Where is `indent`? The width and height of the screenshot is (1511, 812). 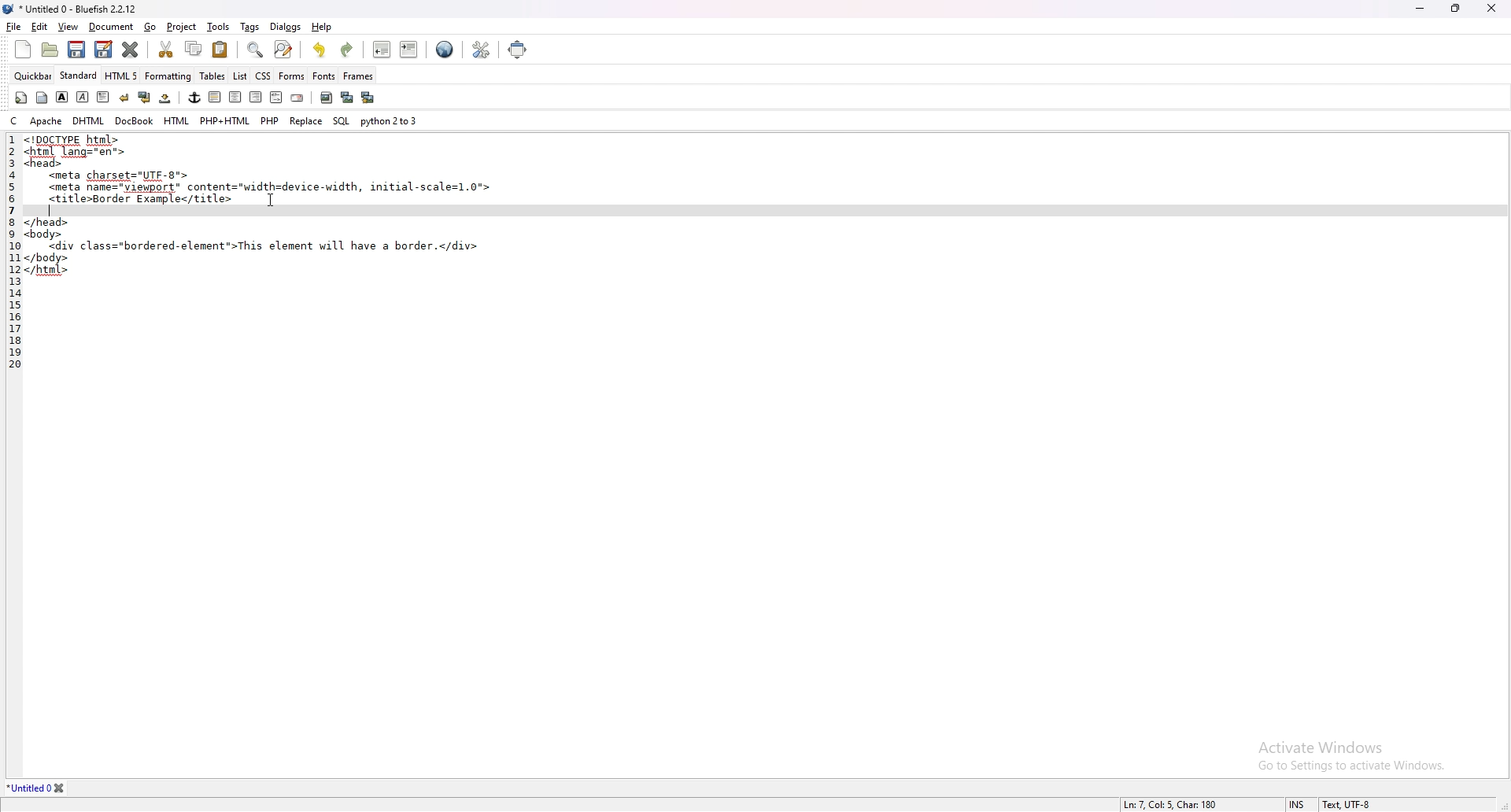 indent is located at coordinates (410, 49).